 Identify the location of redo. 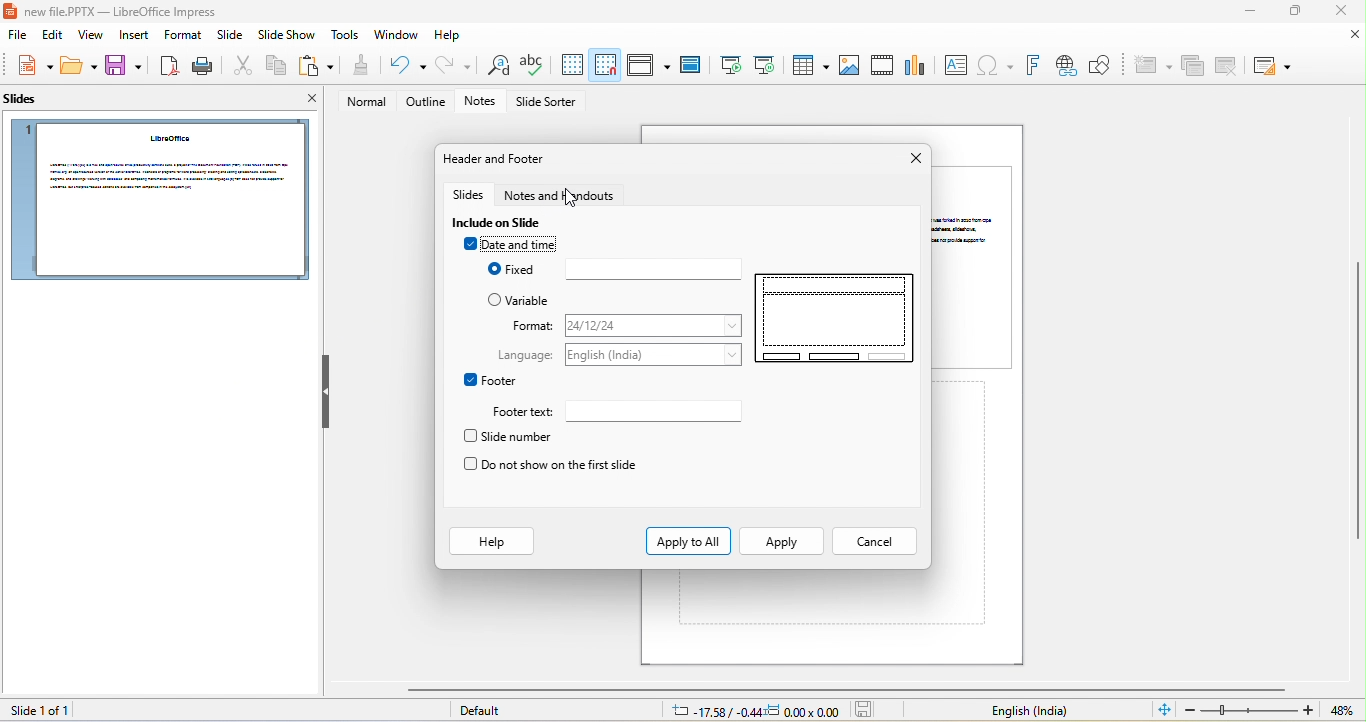
(454, 65).